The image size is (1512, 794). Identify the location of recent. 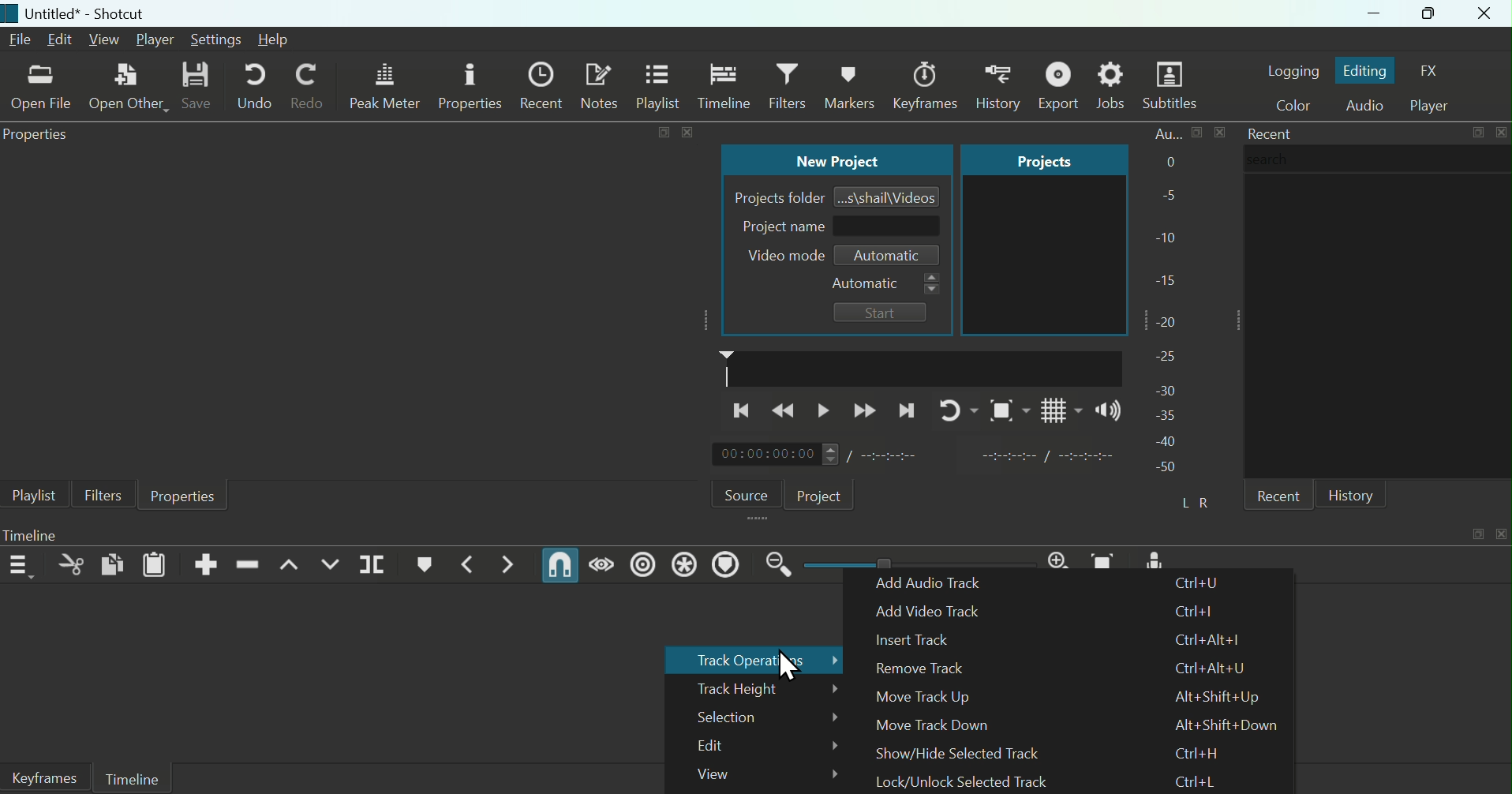
(1277, 495).